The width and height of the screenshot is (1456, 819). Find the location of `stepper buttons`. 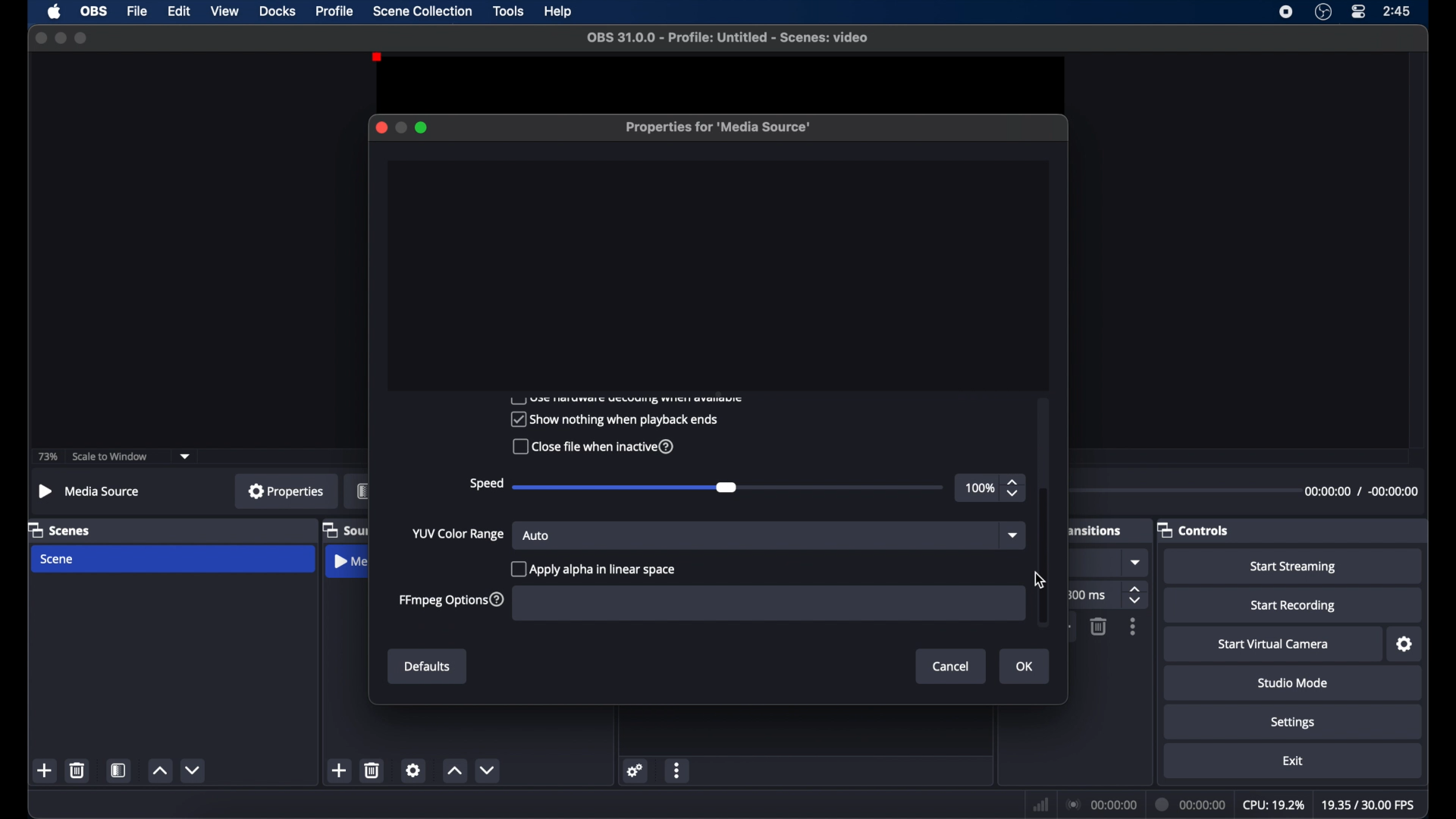

stepper buttons is located at coordinates (1015, 488).